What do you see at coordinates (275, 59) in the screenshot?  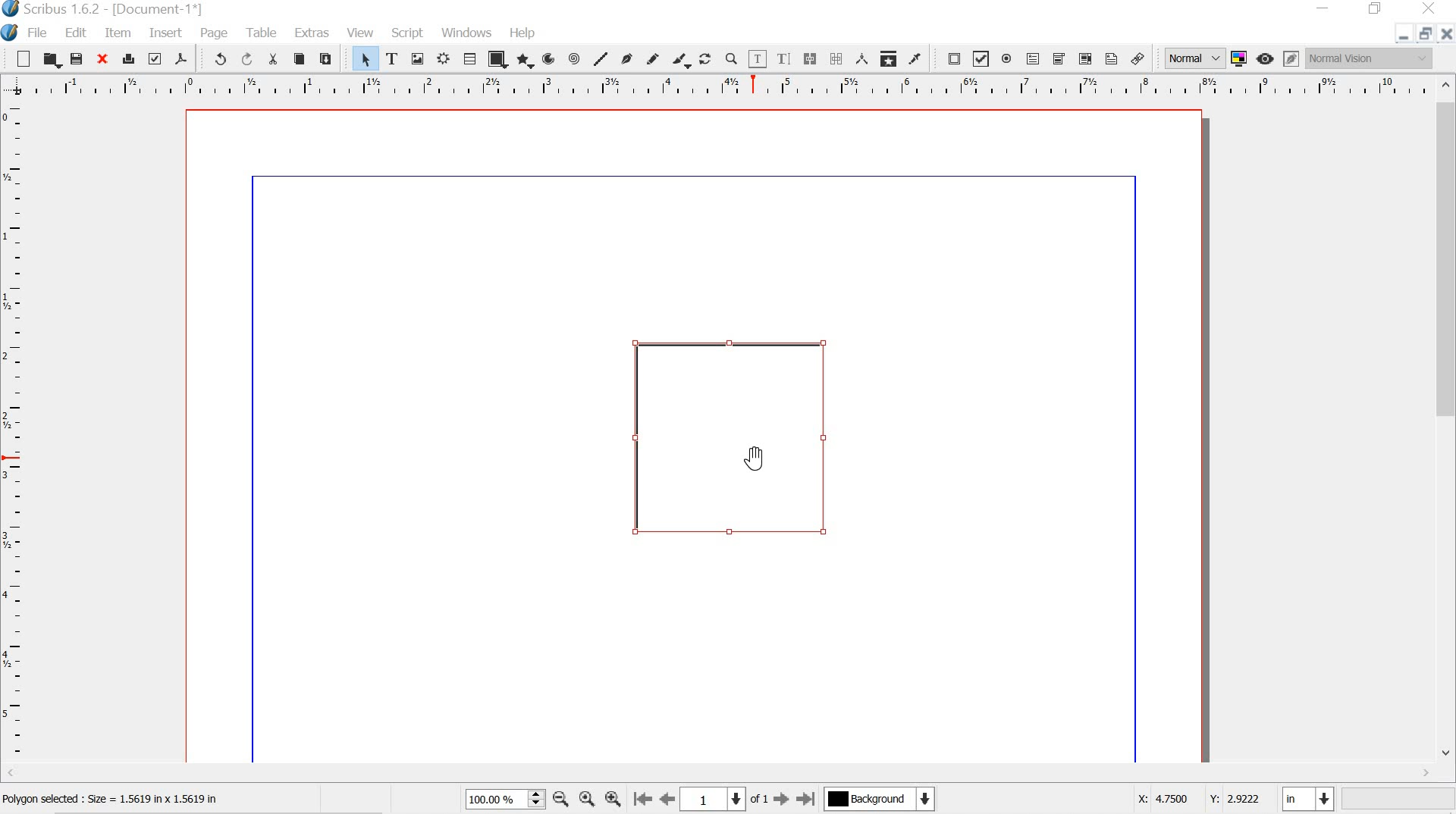 I see `cut` at bounding box center [275, 59].